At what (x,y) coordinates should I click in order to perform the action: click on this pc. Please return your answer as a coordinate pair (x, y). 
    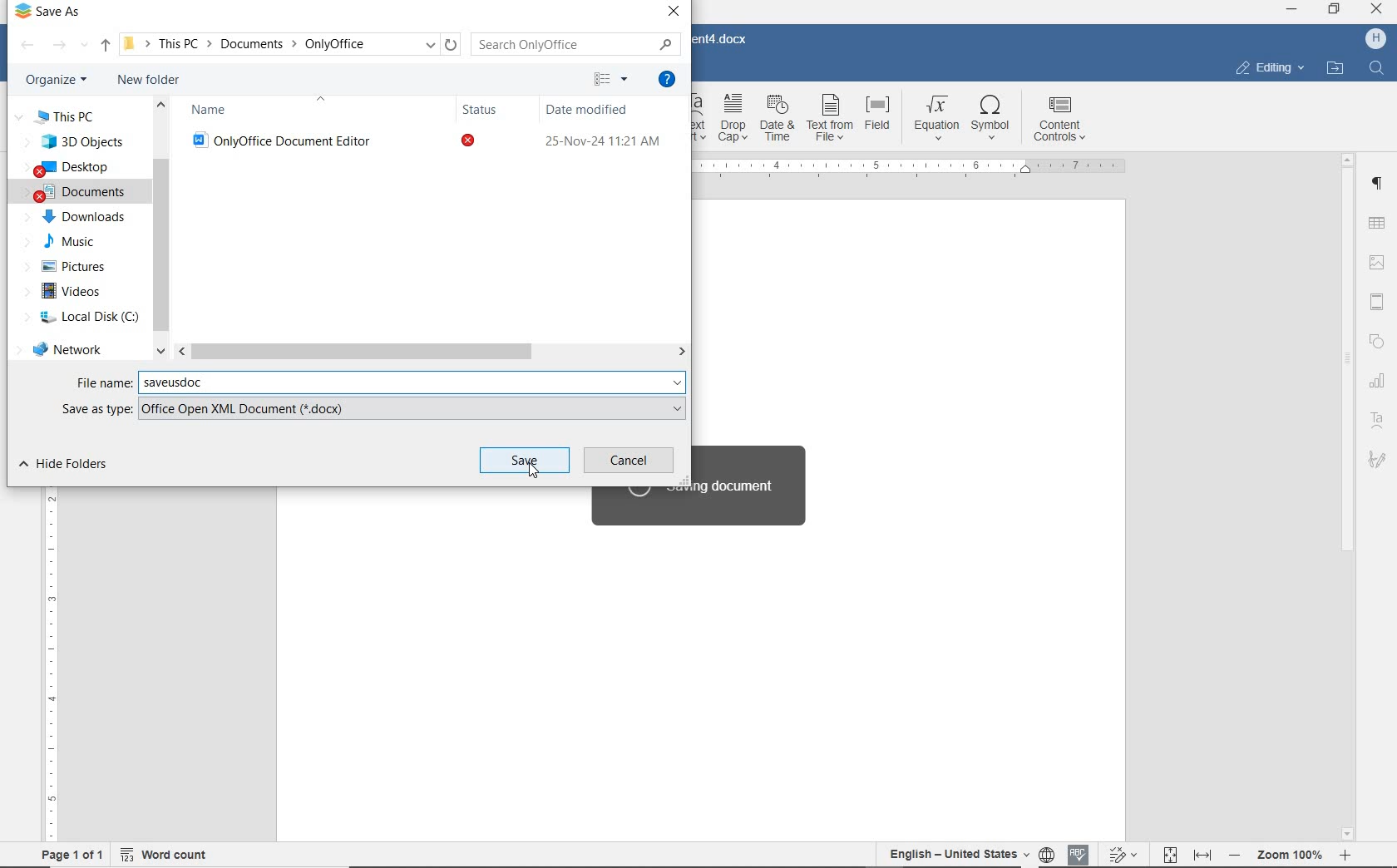
    Looking at the image, I should click on (64, 116).